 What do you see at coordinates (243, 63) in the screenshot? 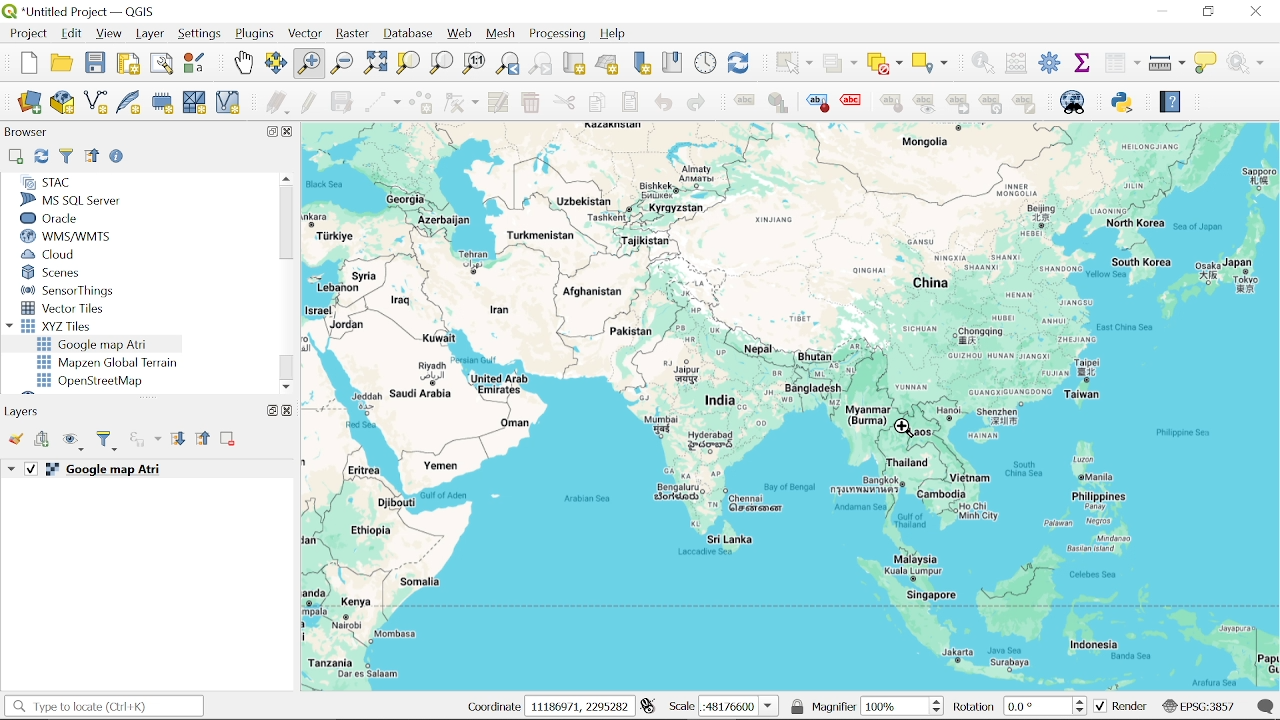
I see `Pan ` at bounding box center [243, 63].